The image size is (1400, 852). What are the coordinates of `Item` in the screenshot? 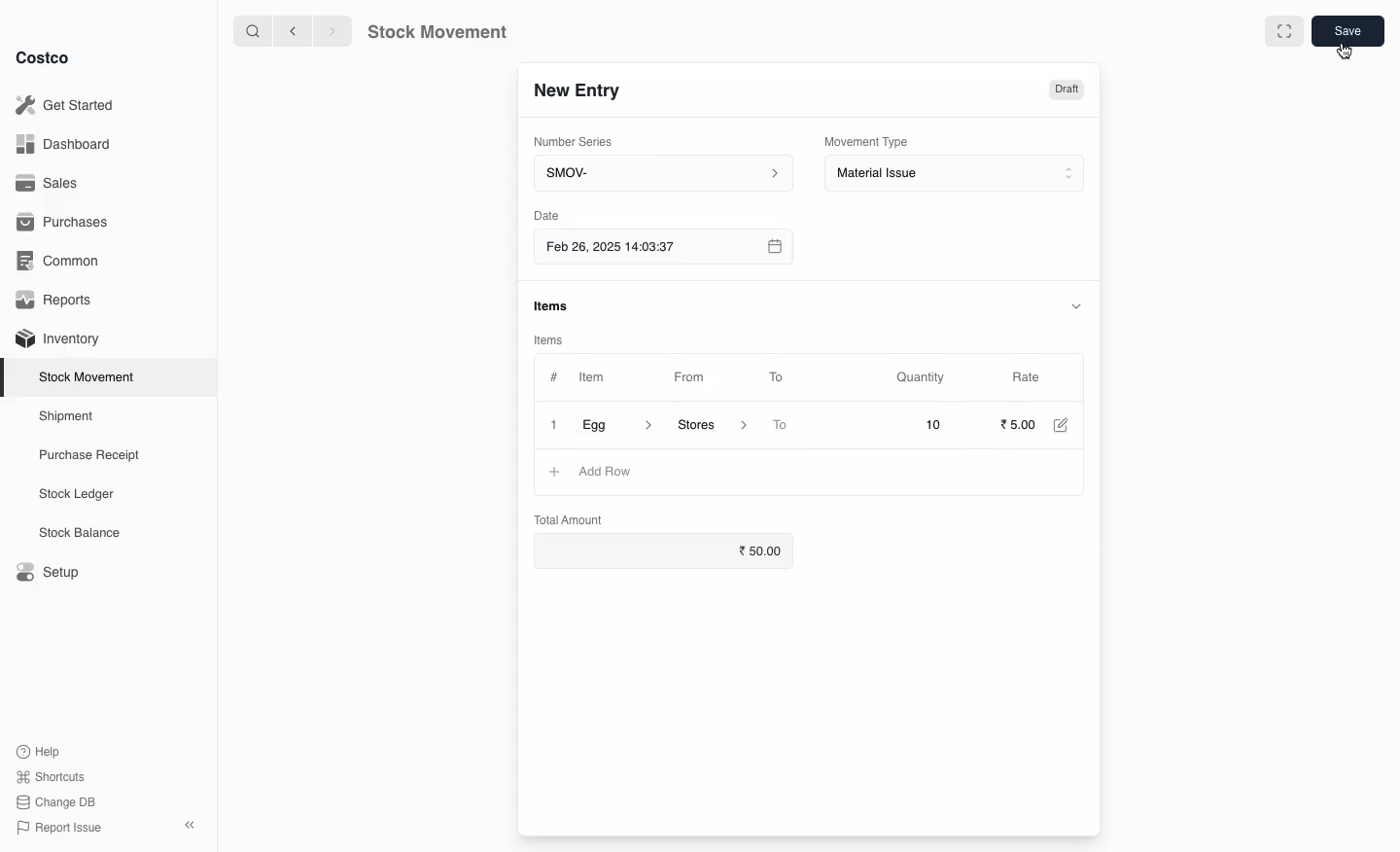 It's located at (602, 376).